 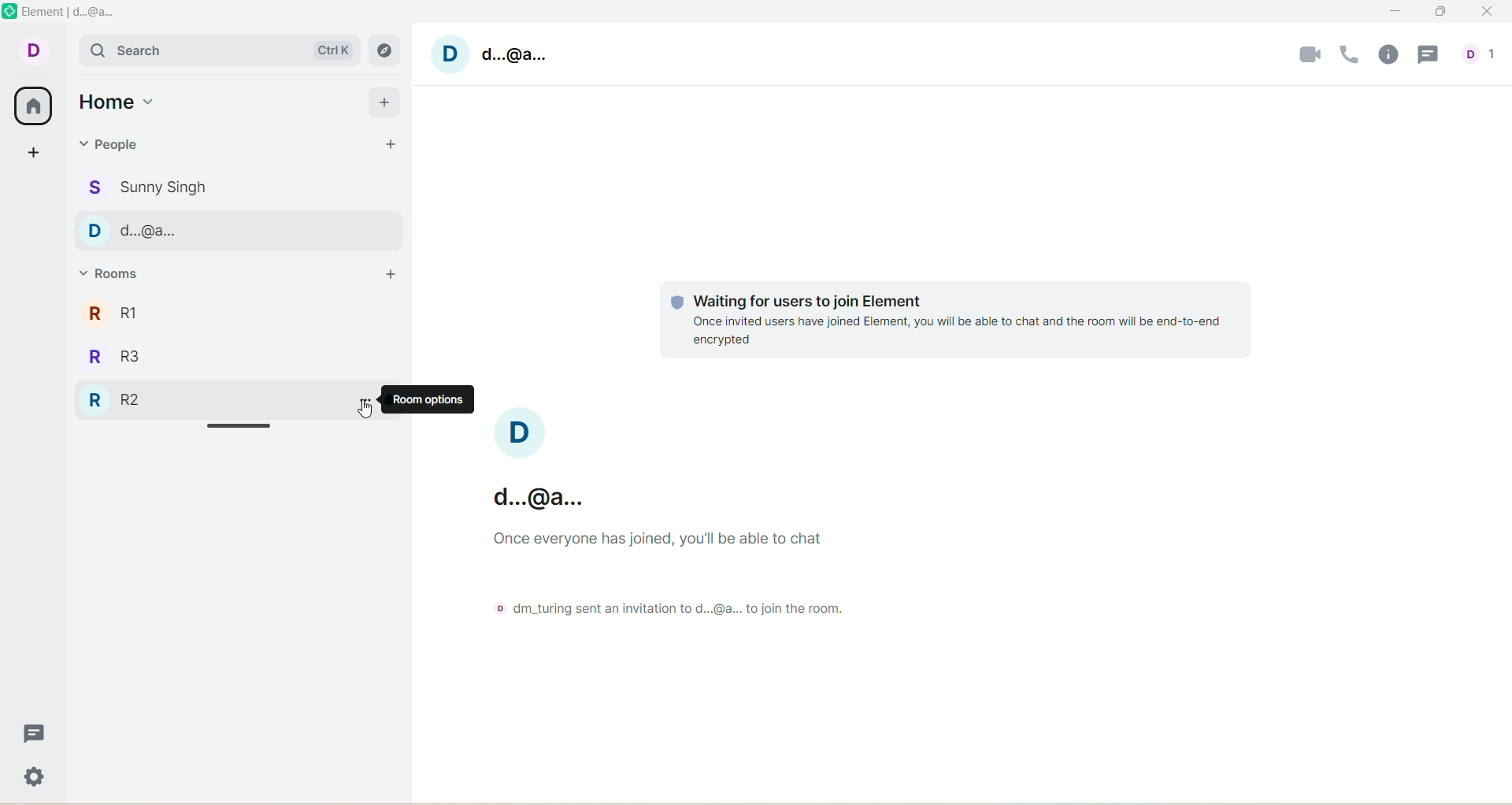 What do you see at coordinates (1308, 56) in the screenshot?
I see `video call` at bounding box center [1308, 56].